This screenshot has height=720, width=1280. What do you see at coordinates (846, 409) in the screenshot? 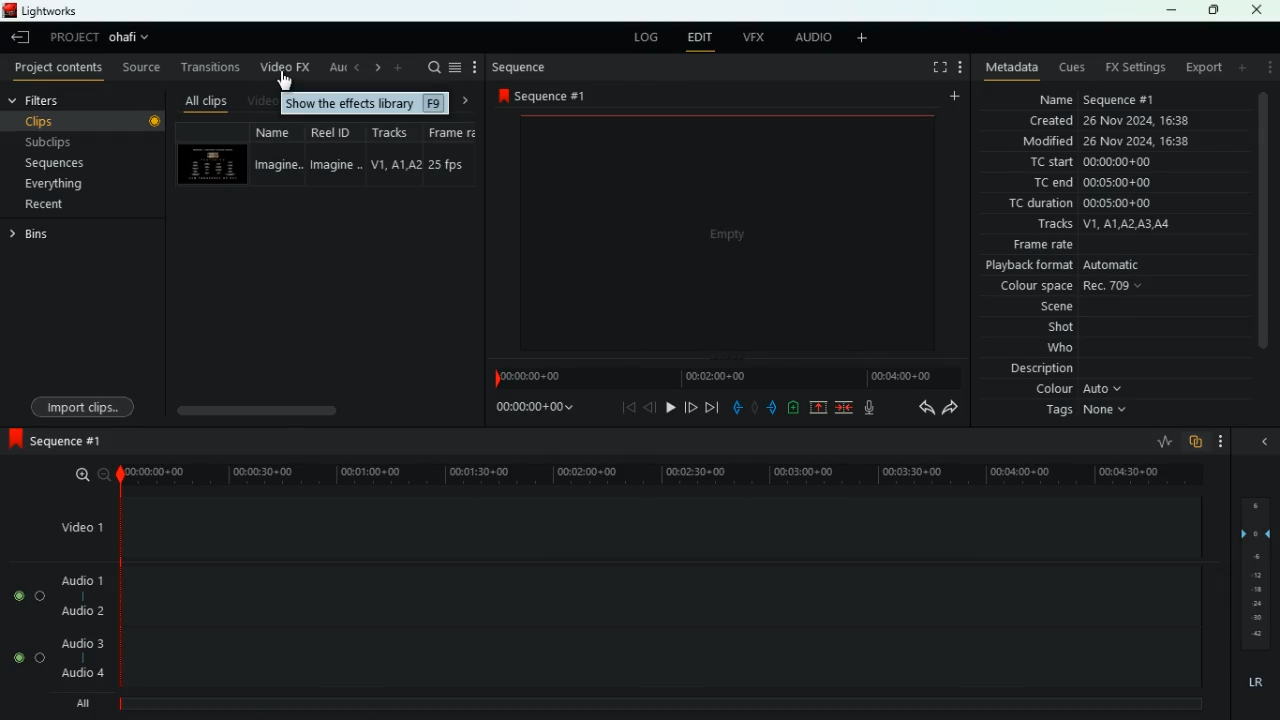
I see `compress` at bounding box center [846, 409].